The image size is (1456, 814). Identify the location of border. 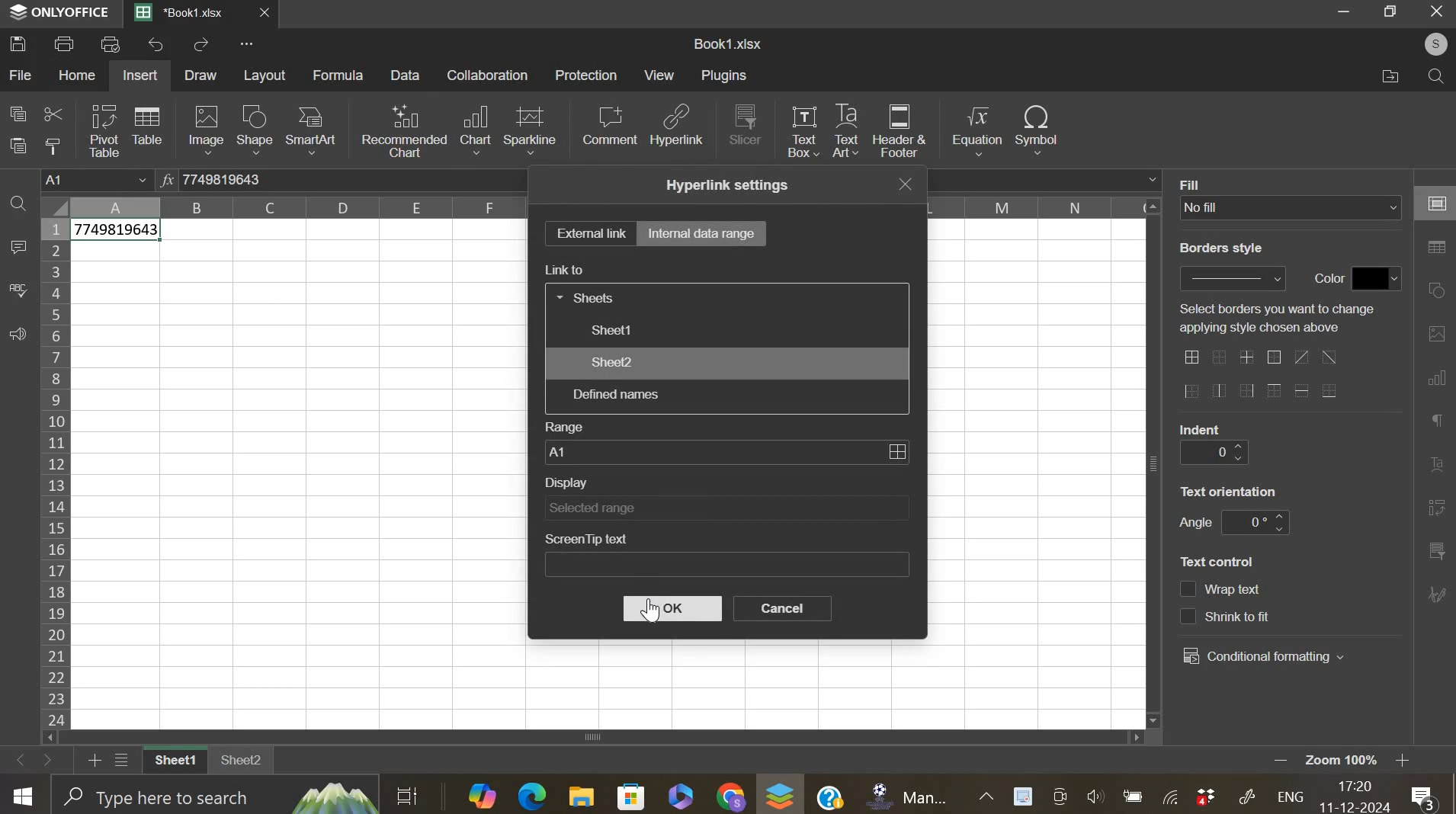
(1259, 376).